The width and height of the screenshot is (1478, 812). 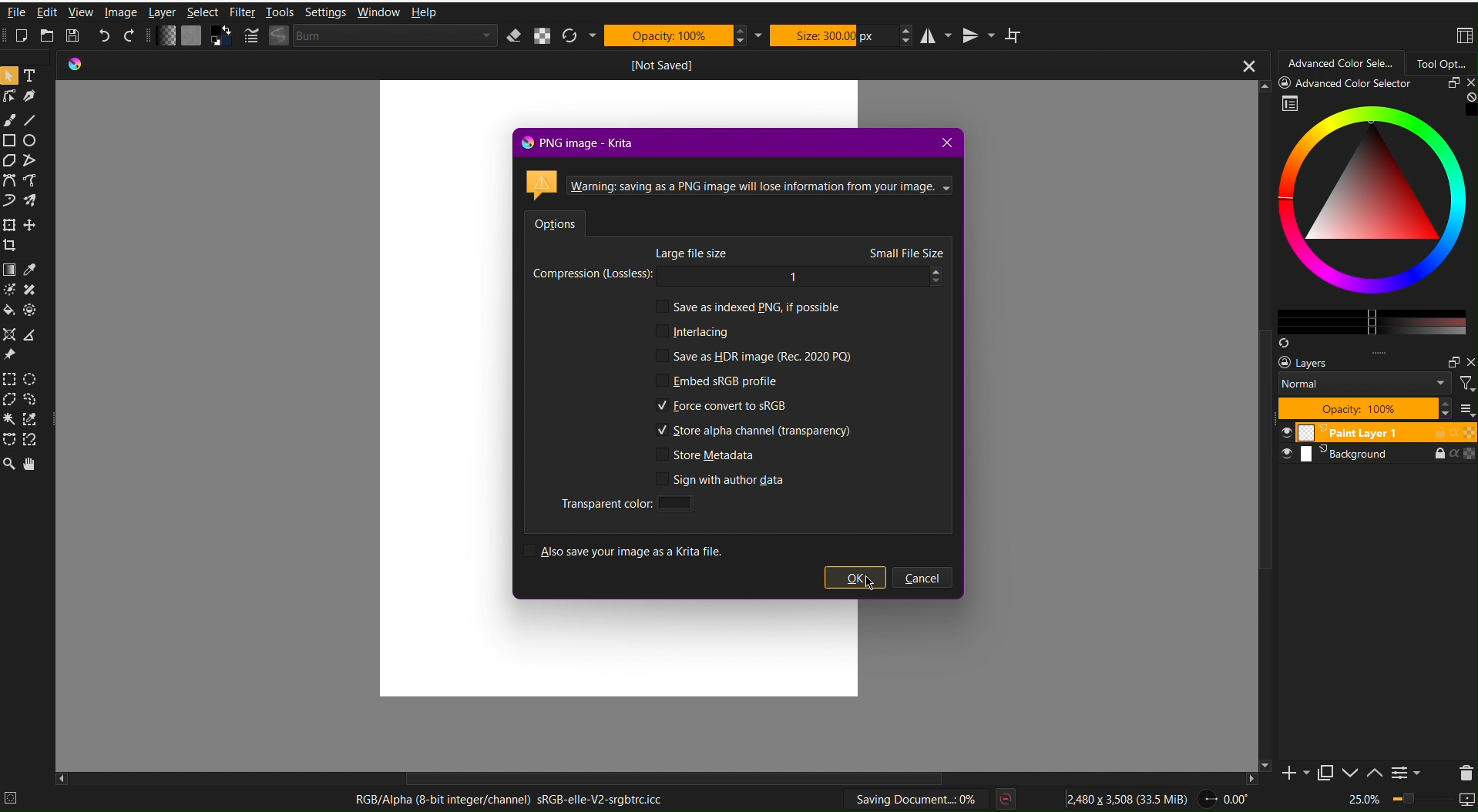 I want to click on Advanced Color Selector, so click(x=1342, y=64).